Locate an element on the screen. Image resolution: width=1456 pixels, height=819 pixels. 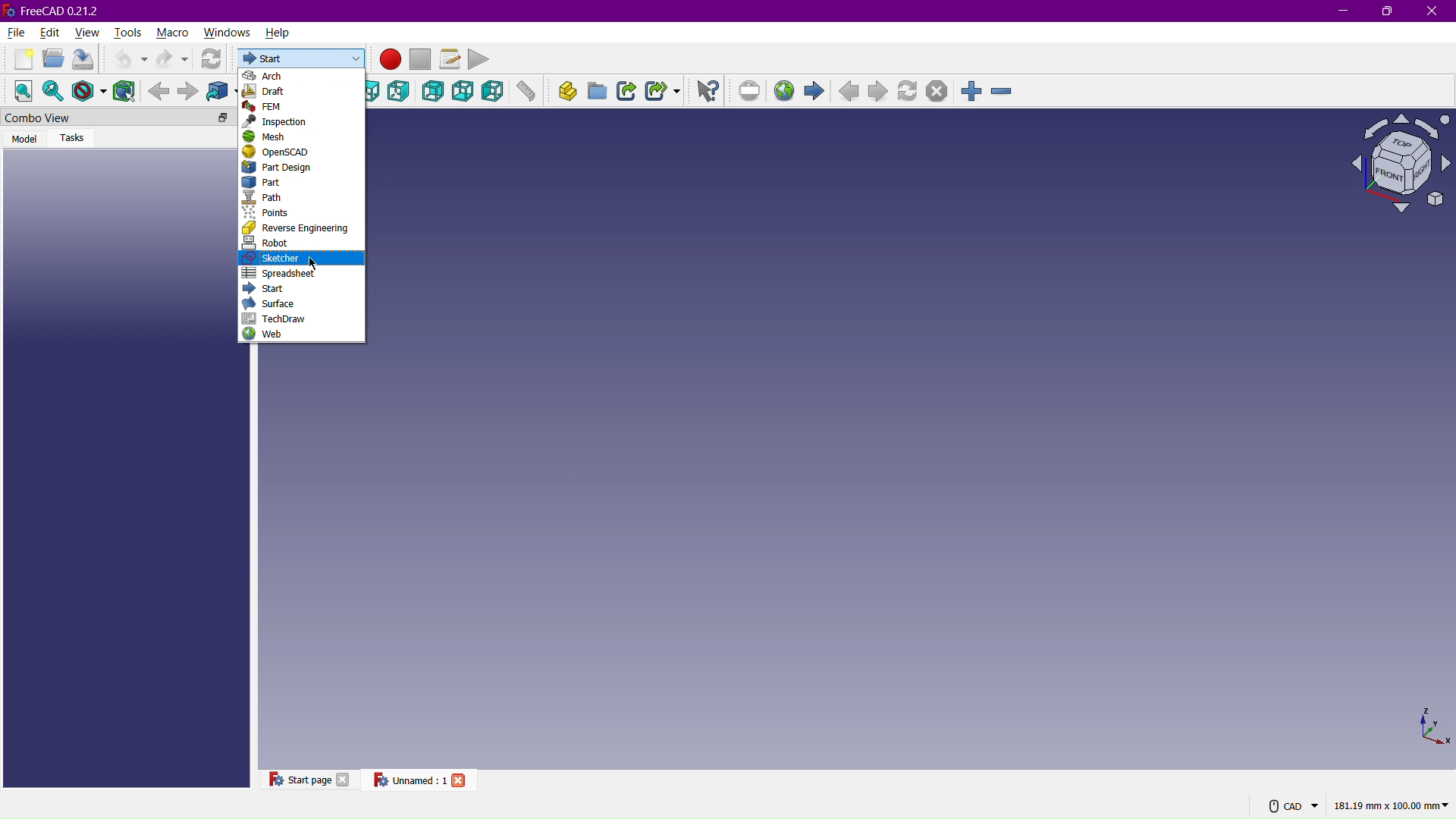
Play macro is located at coordinates (482, 59).